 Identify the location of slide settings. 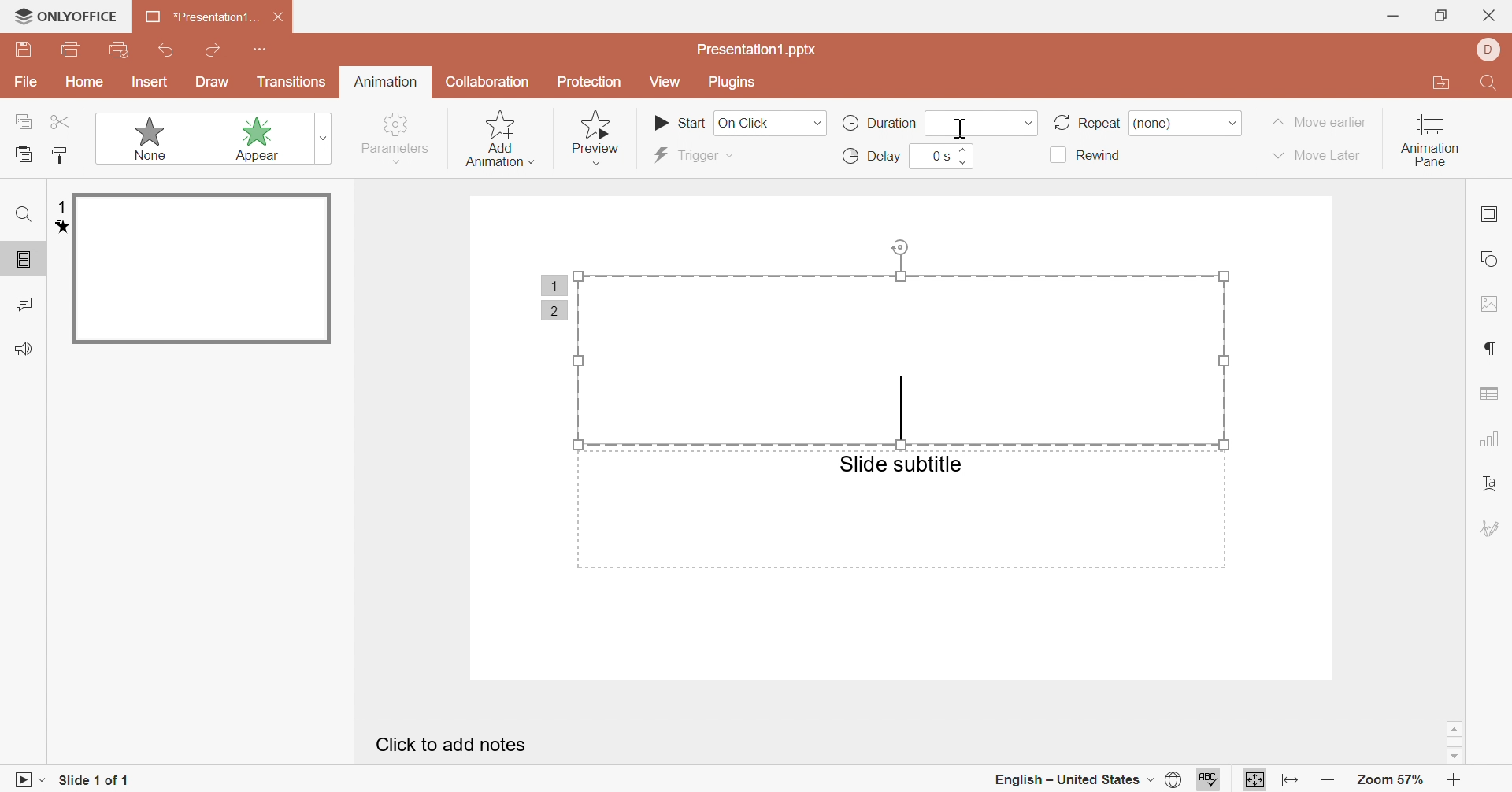
(1488, 213).